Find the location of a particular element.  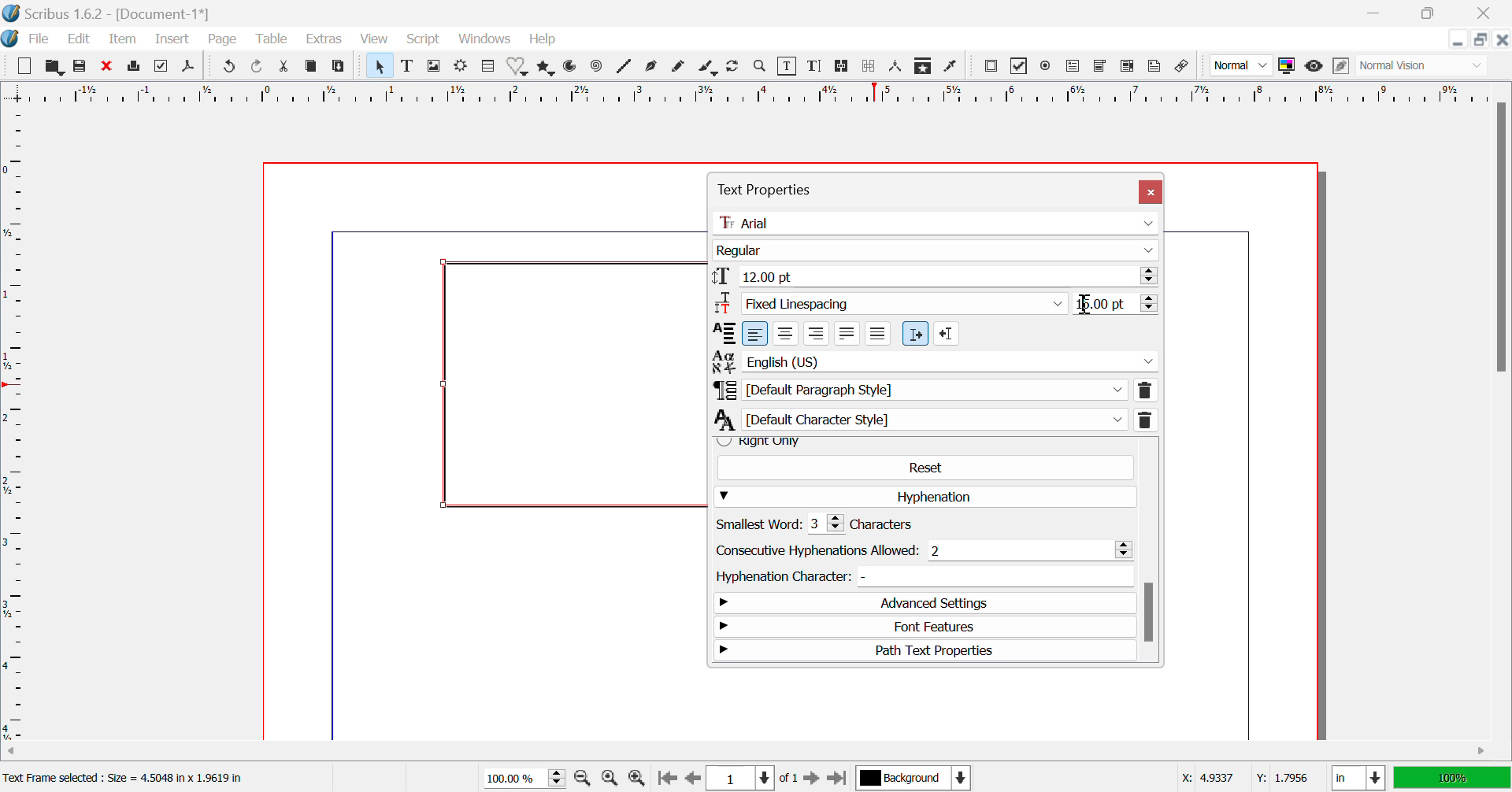

Measurements is located at coordinates (899, 67).